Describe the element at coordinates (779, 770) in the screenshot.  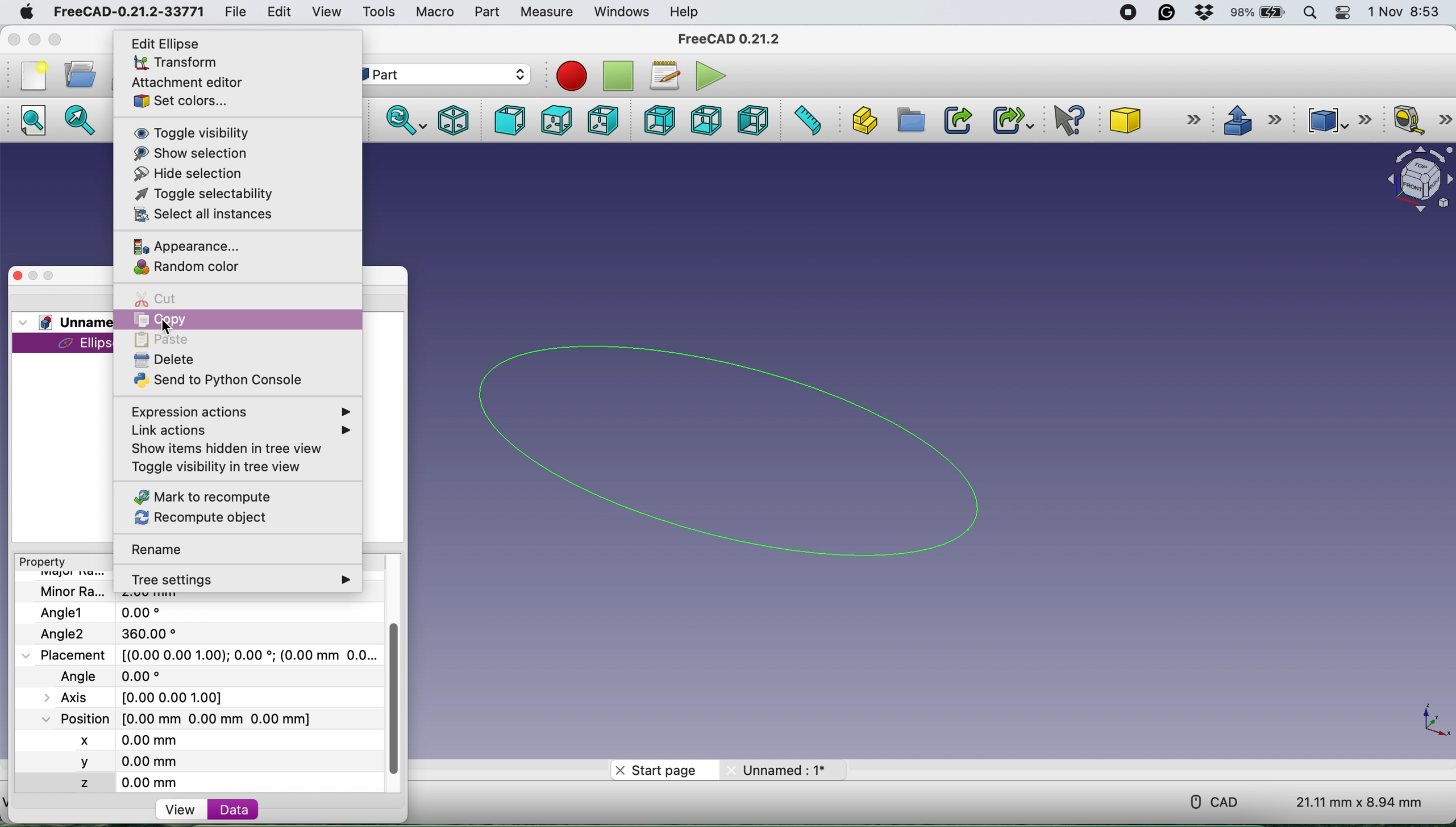
I see `unnamed` at that location.